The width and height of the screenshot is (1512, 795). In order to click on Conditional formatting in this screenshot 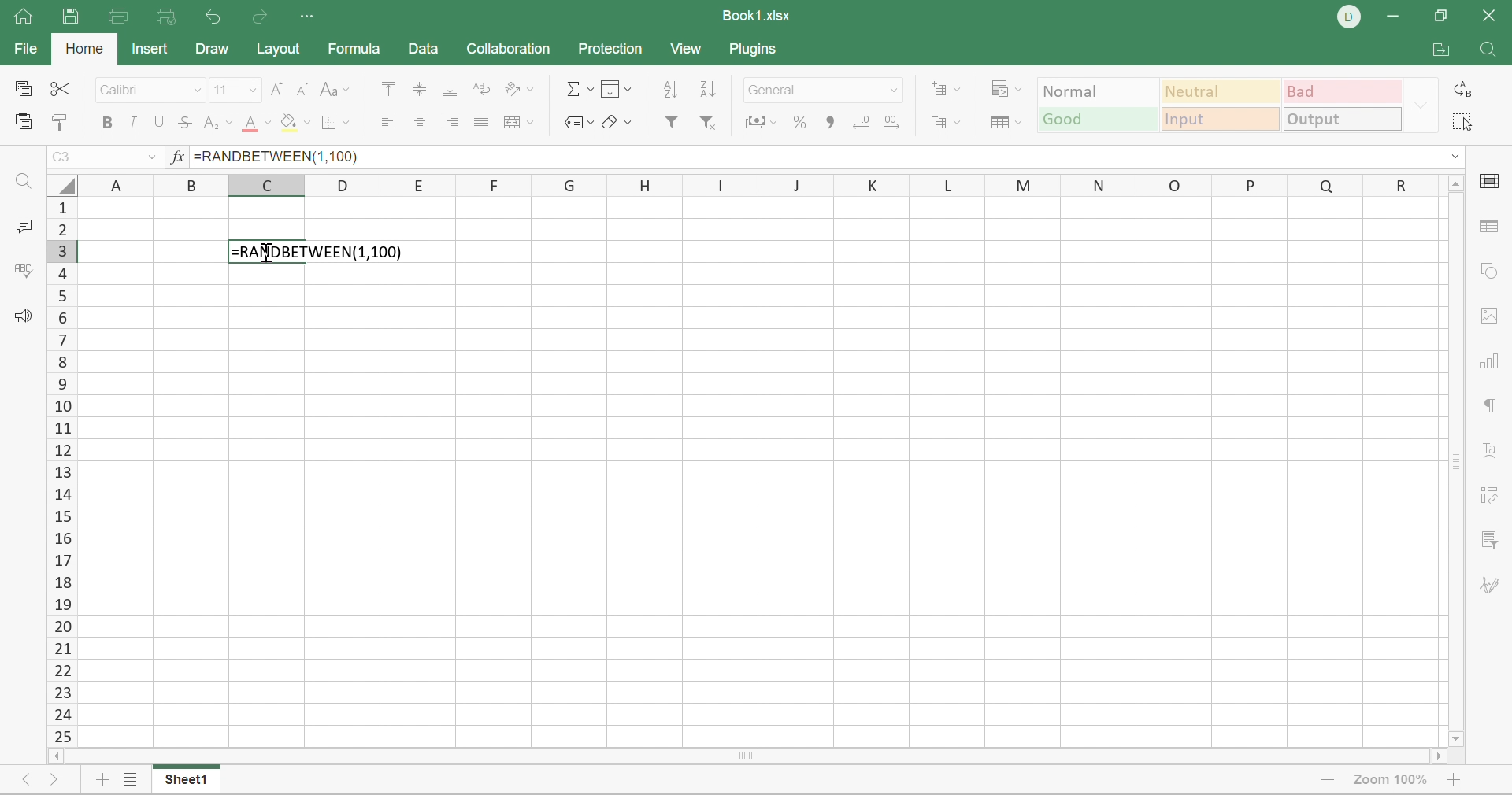, I will do `click(1008, 87)`.